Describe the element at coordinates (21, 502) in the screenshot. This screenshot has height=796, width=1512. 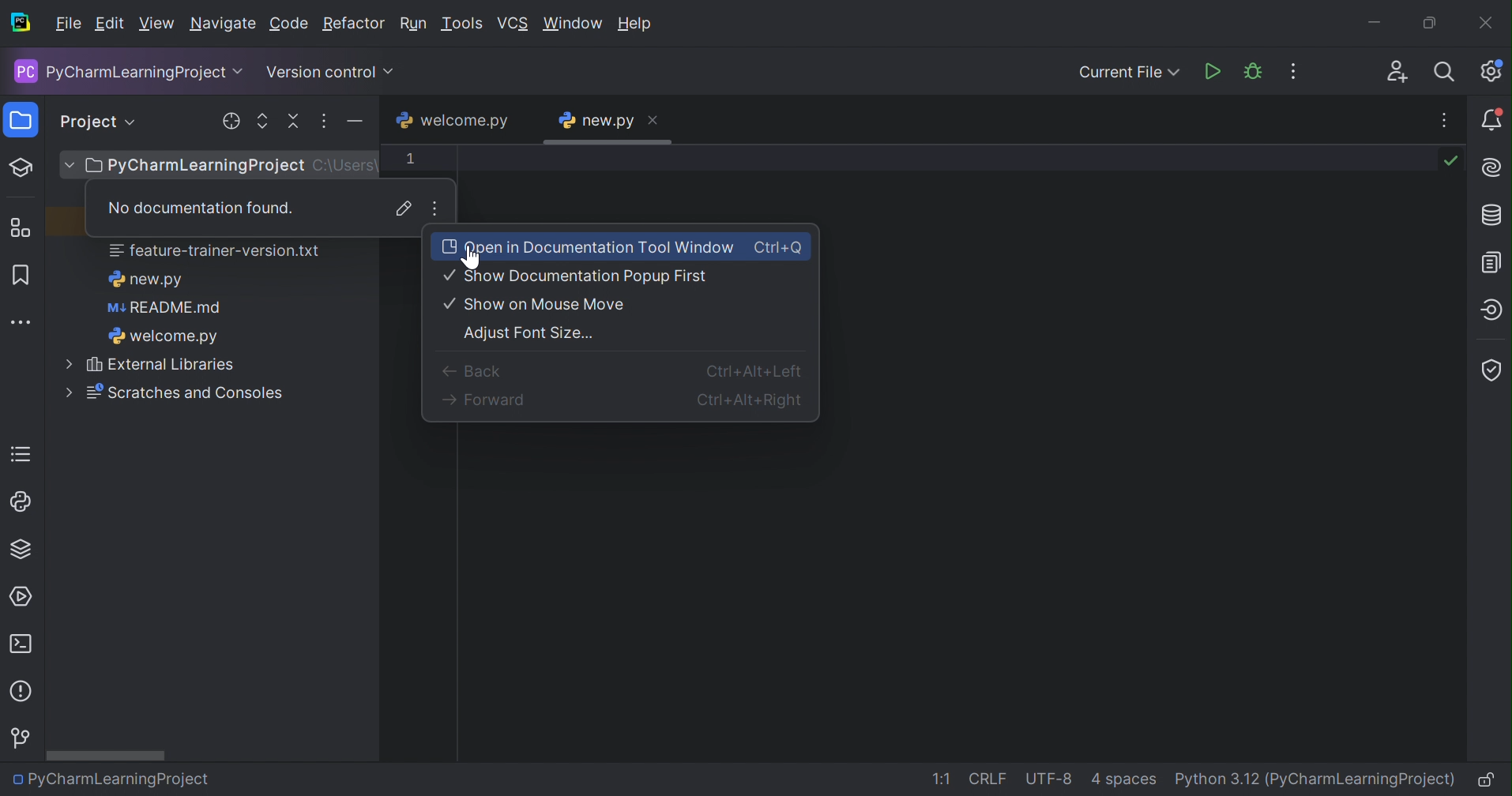
I see `python console` at that location.